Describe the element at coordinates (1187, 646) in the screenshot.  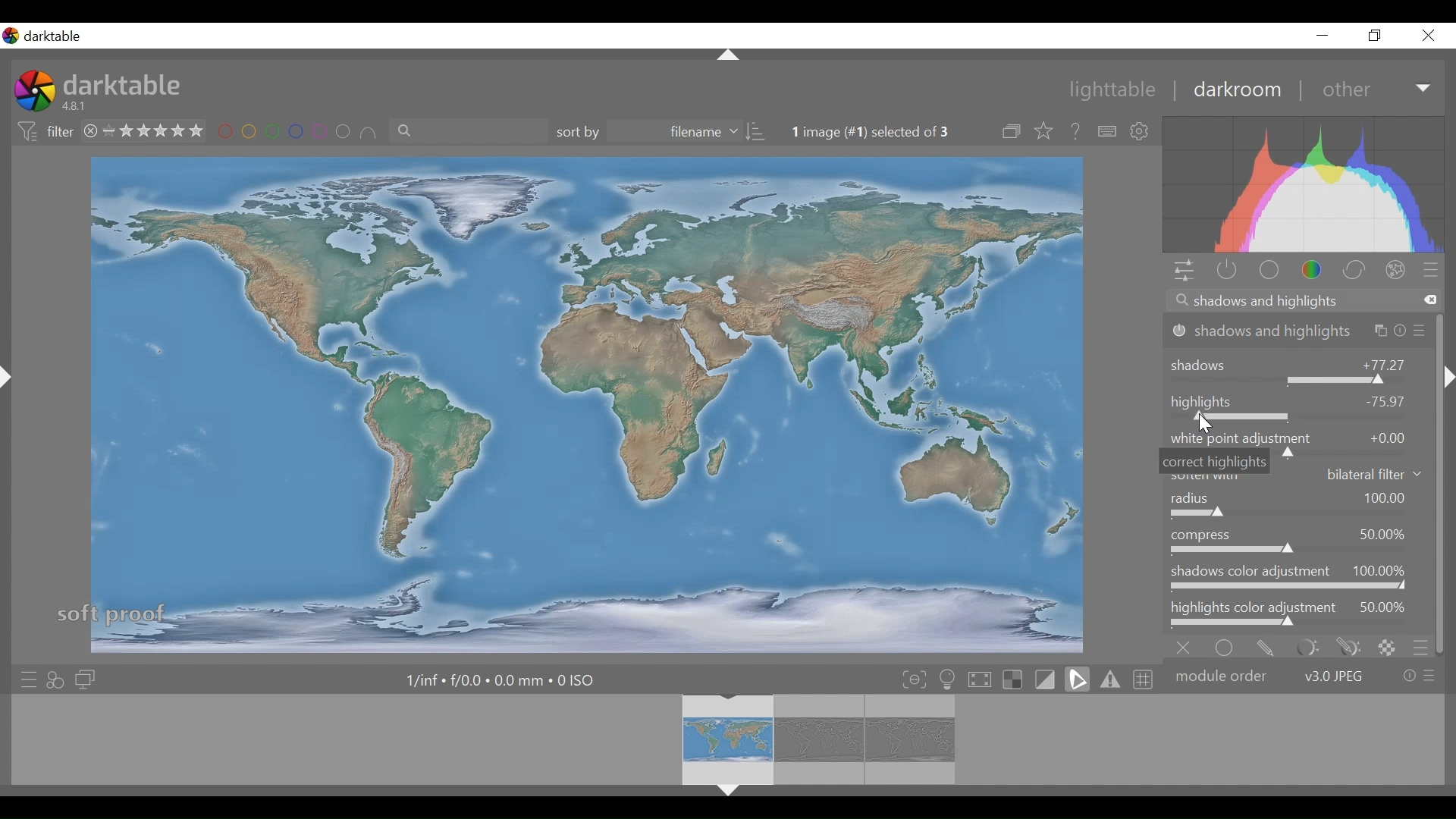
I see `off` at that location.